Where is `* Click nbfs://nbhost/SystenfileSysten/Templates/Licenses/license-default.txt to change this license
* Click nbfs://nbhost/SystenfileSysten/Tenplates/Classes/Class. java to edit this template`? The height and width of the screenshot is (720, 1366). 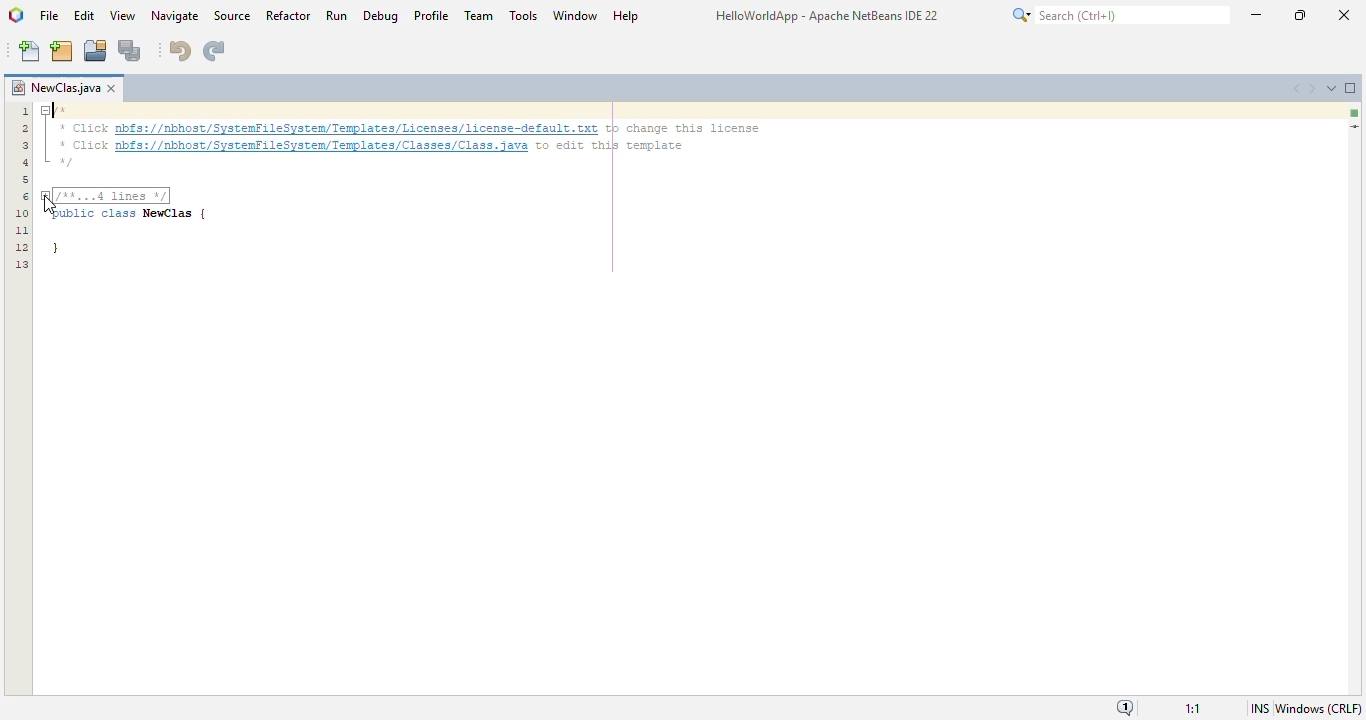
* Click nbfs://nbhost/SystenfileSysten/Templates/Licenses/license-default.txt to change this license
* Click nbfs://nbhost/SystenfileSysten/Tenplates/Classes/Class. java to edit this template is located at coordinates (425, 137).